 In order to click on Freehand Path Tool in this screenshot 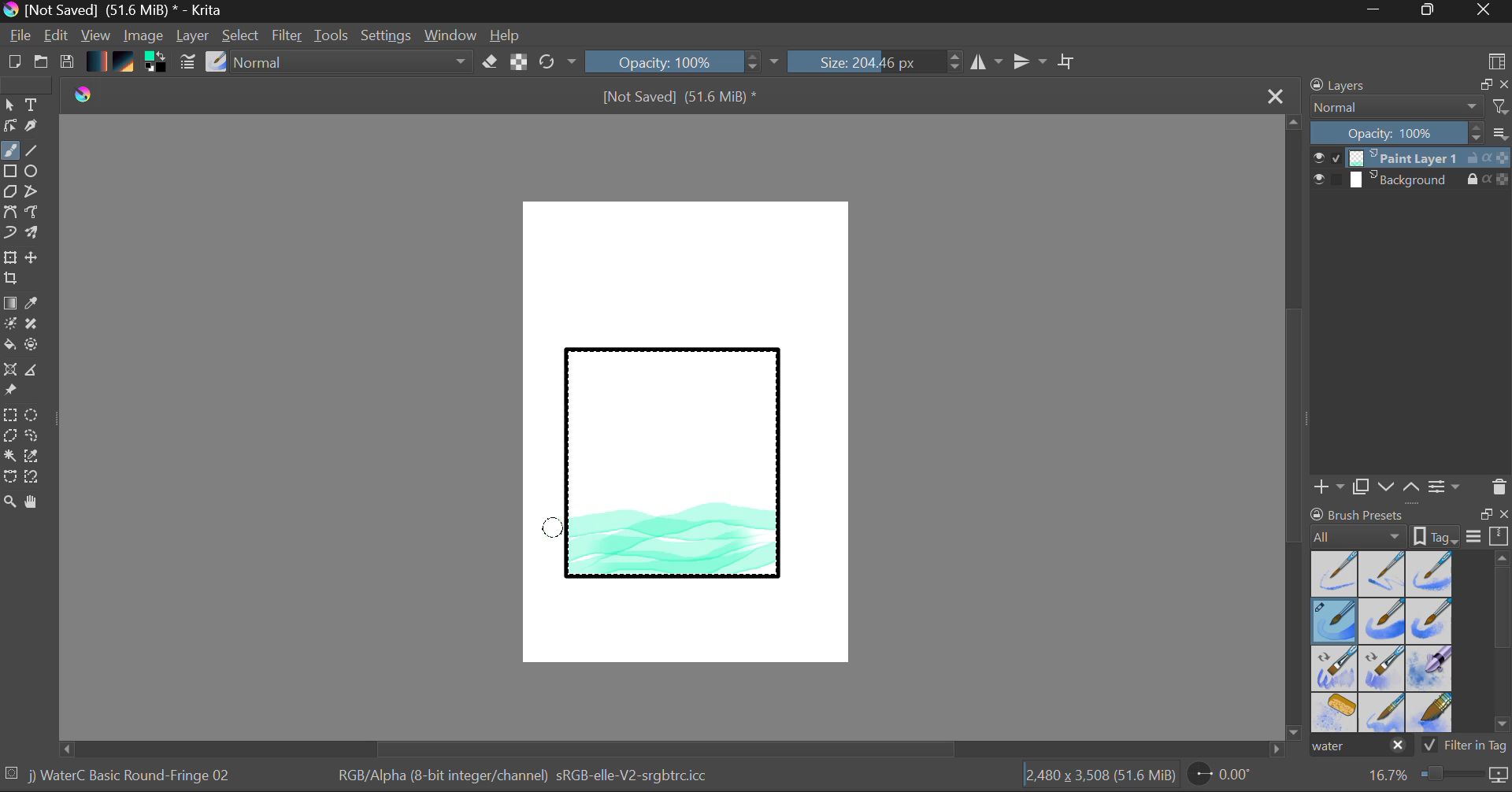, I will do `click(31, 213)`.